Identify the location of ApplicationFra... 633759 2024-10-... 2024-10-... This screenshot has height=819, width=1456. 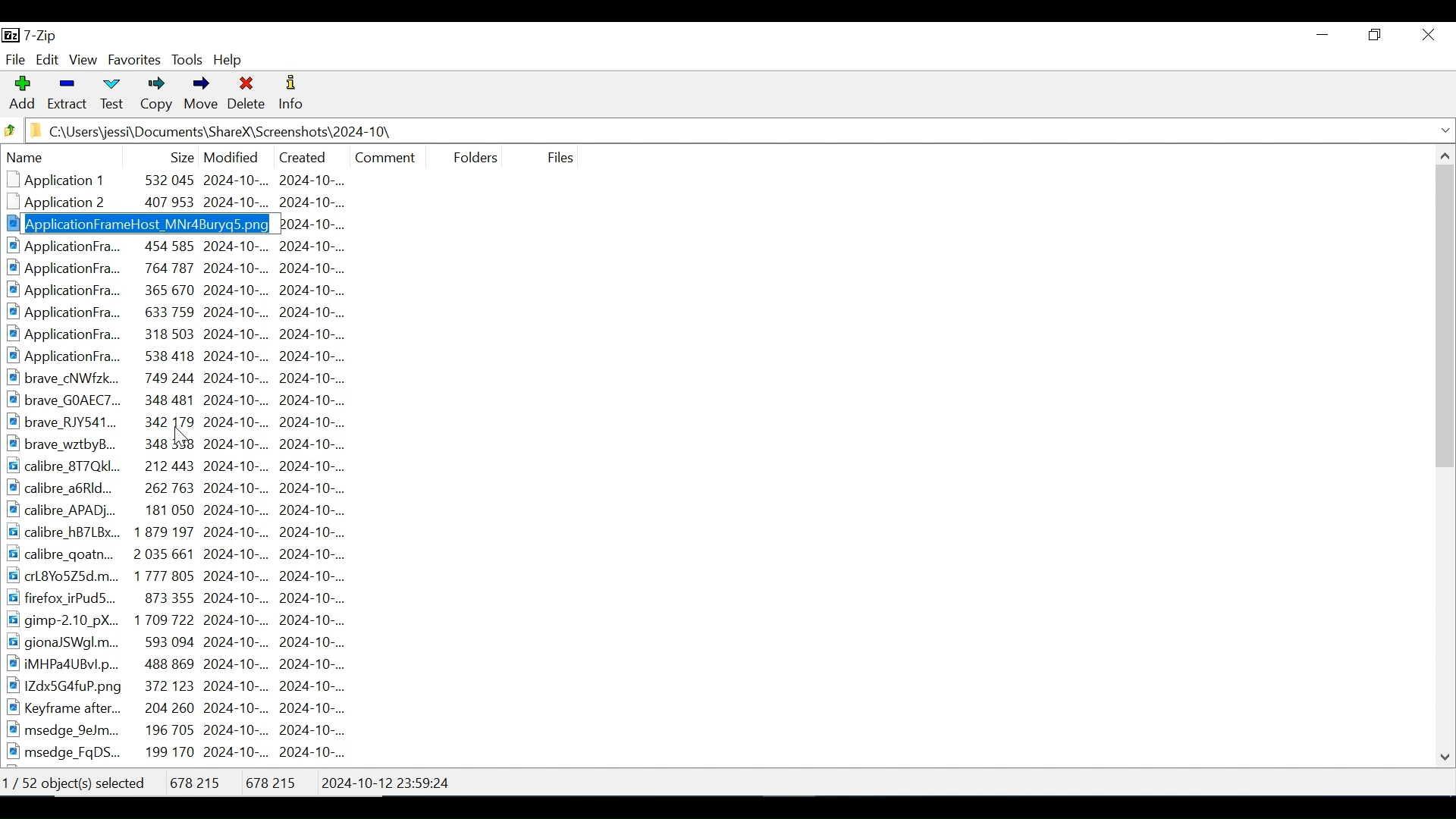
(184, 311).